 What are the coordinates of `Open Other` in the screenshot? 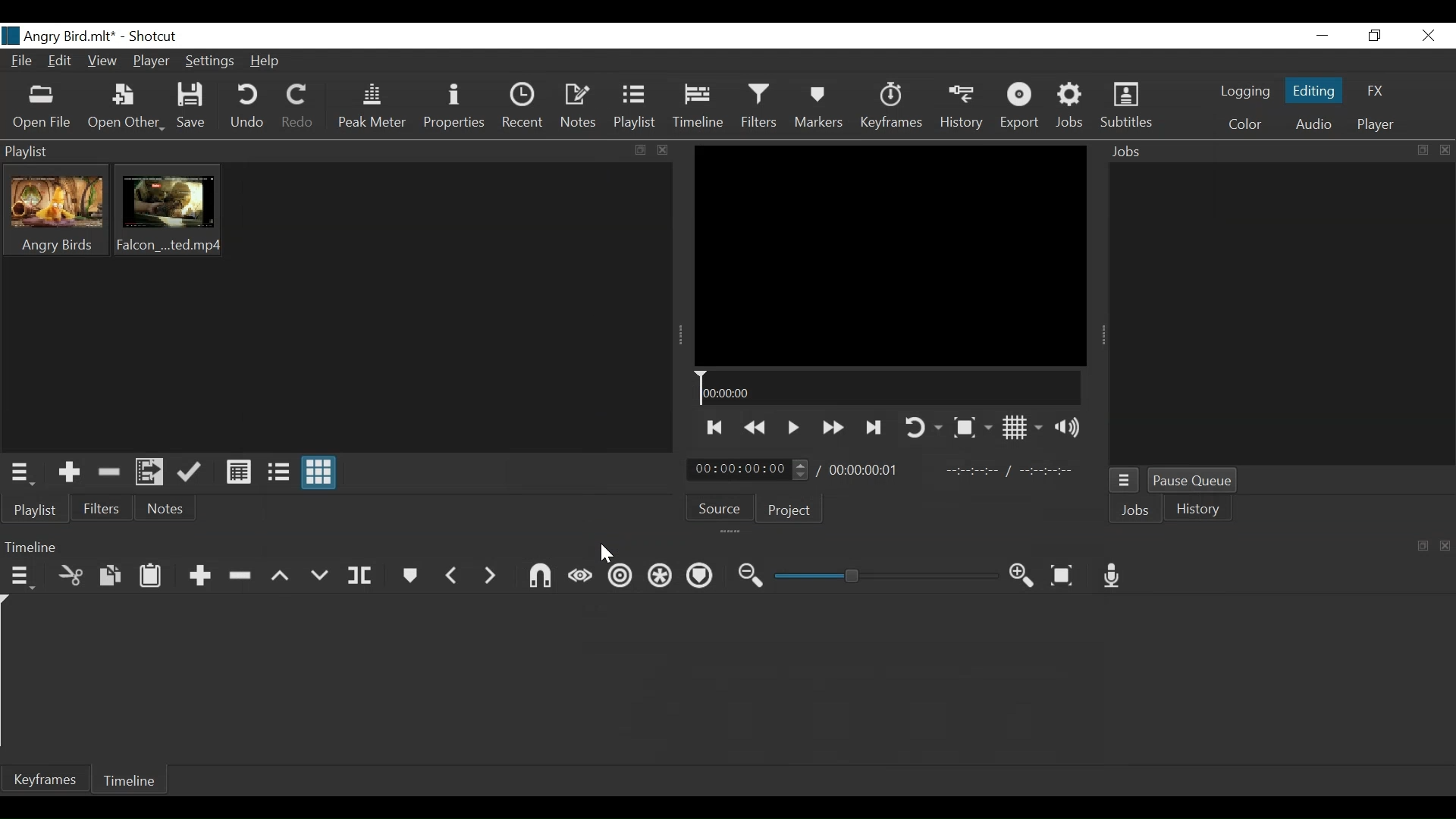 It's located at (127, 109).